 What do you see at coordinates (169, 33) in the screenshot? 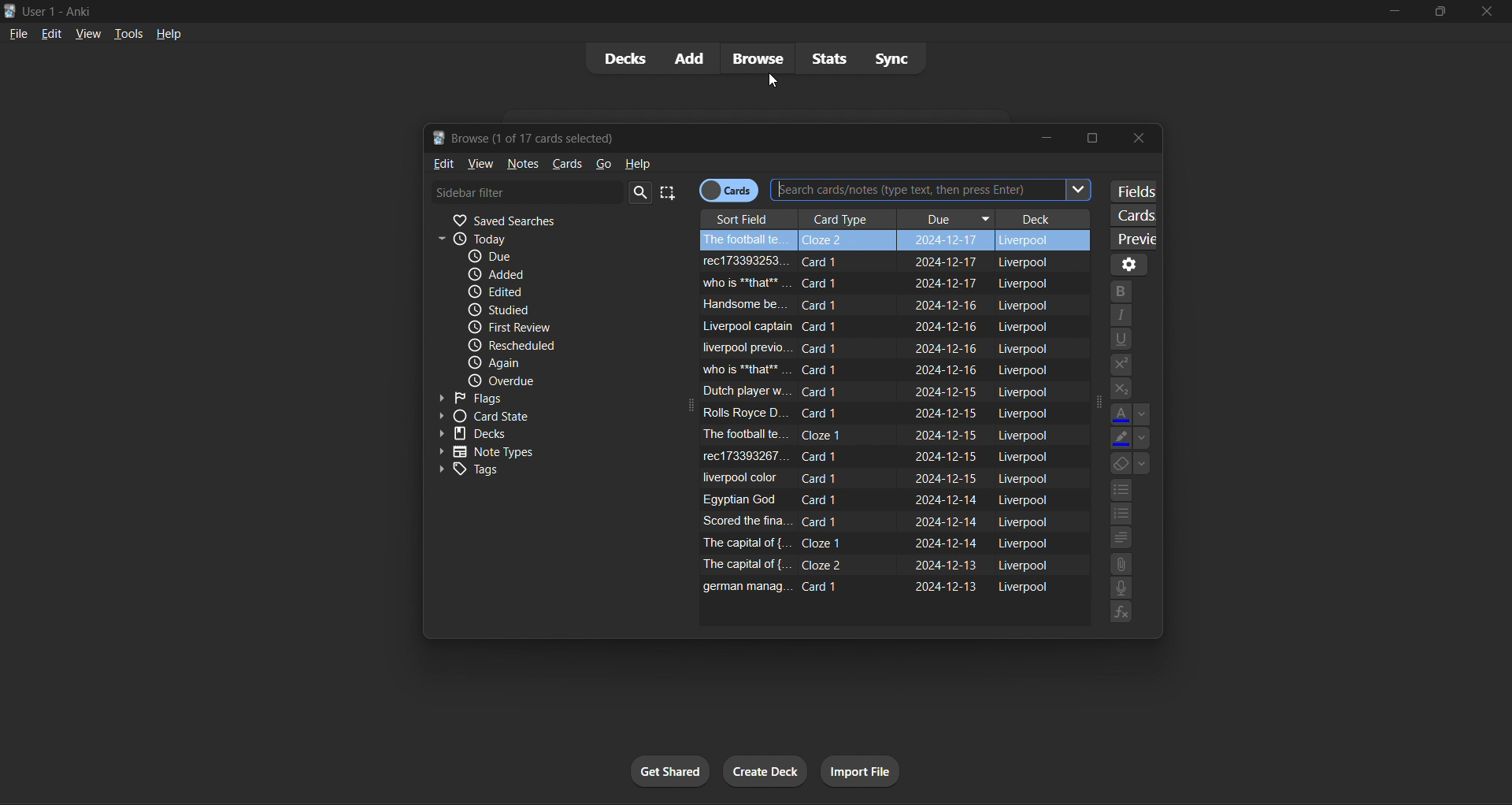
I see `help` at bounding box center [169, 33].